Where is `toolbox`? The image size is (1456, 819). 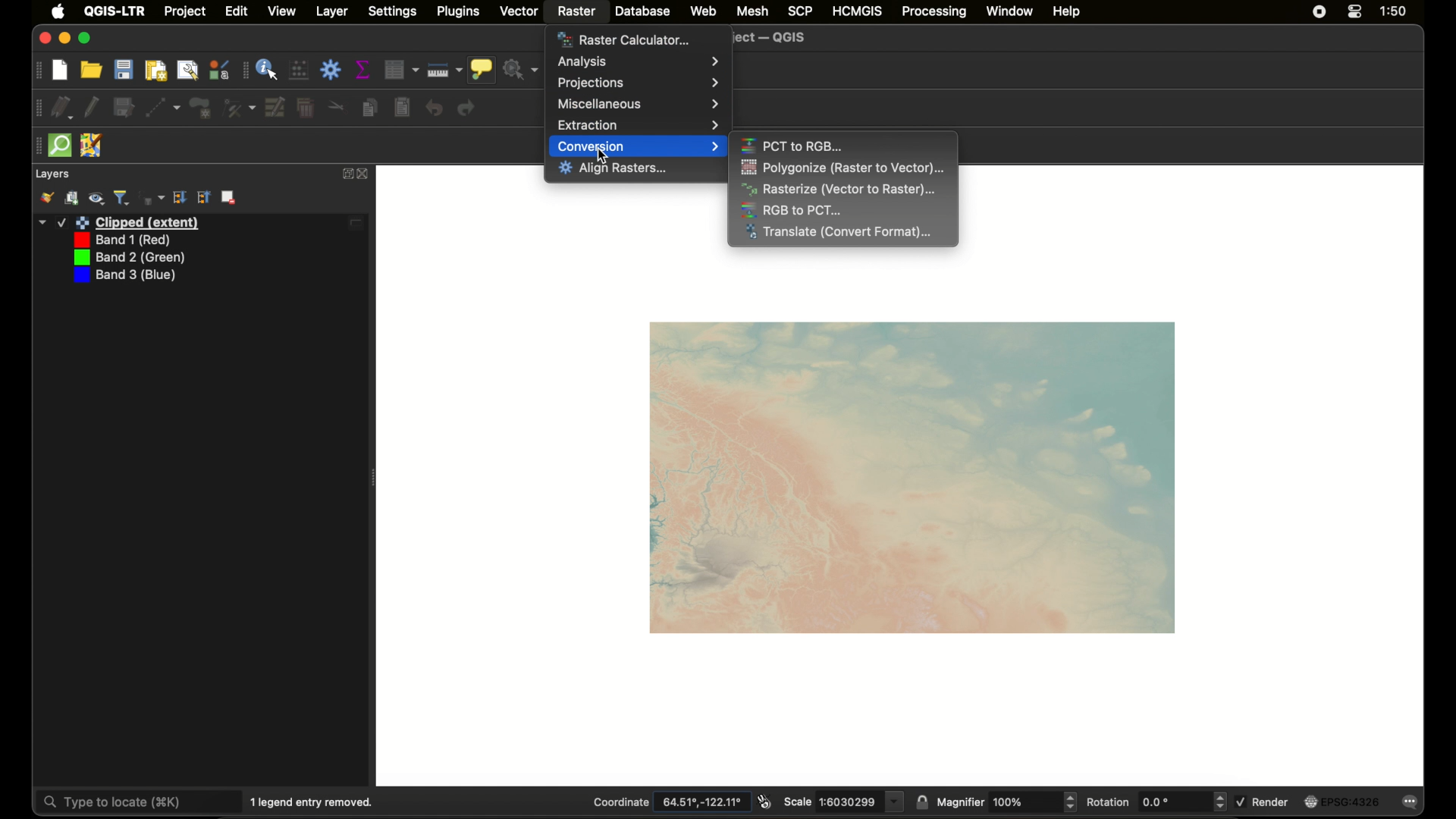 toolbox is located at coordinates (330, 70).